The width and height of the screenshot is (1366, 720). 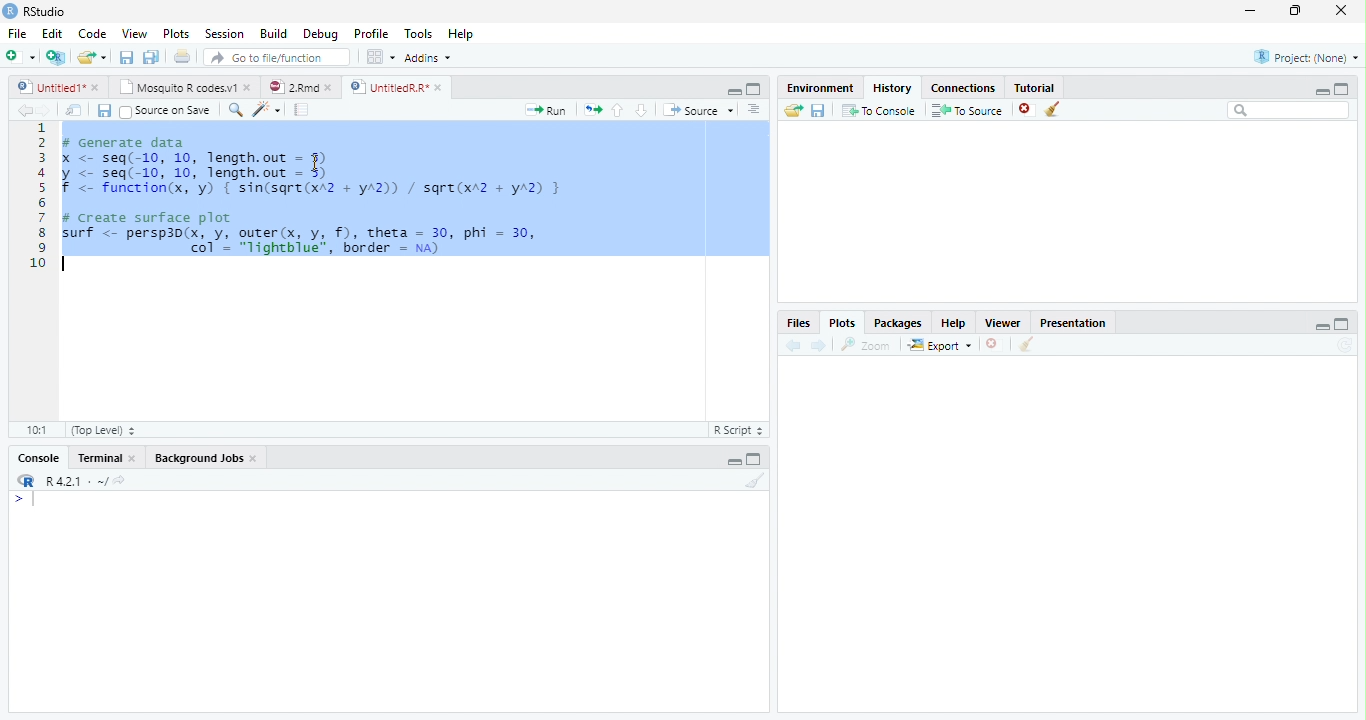 I want to click on Run, so click(x=544, y=110).